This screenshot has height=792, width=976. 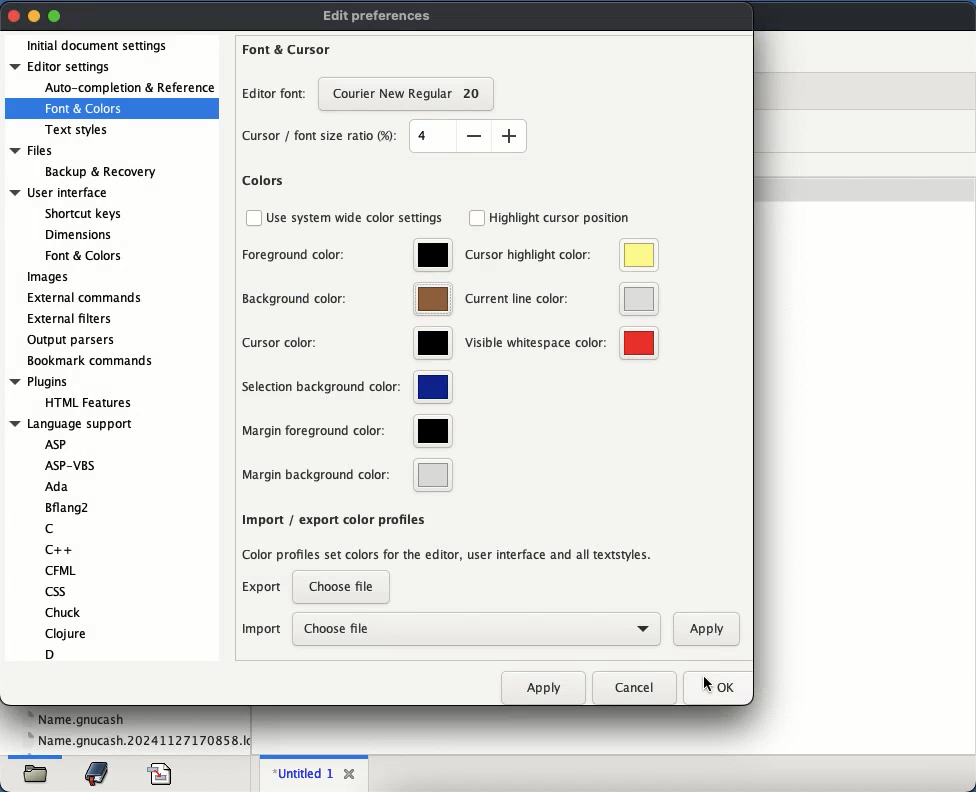 What do you see at coordinates (51, 528) in the screenshot?
I see `C` at bounding box center [51, 528].